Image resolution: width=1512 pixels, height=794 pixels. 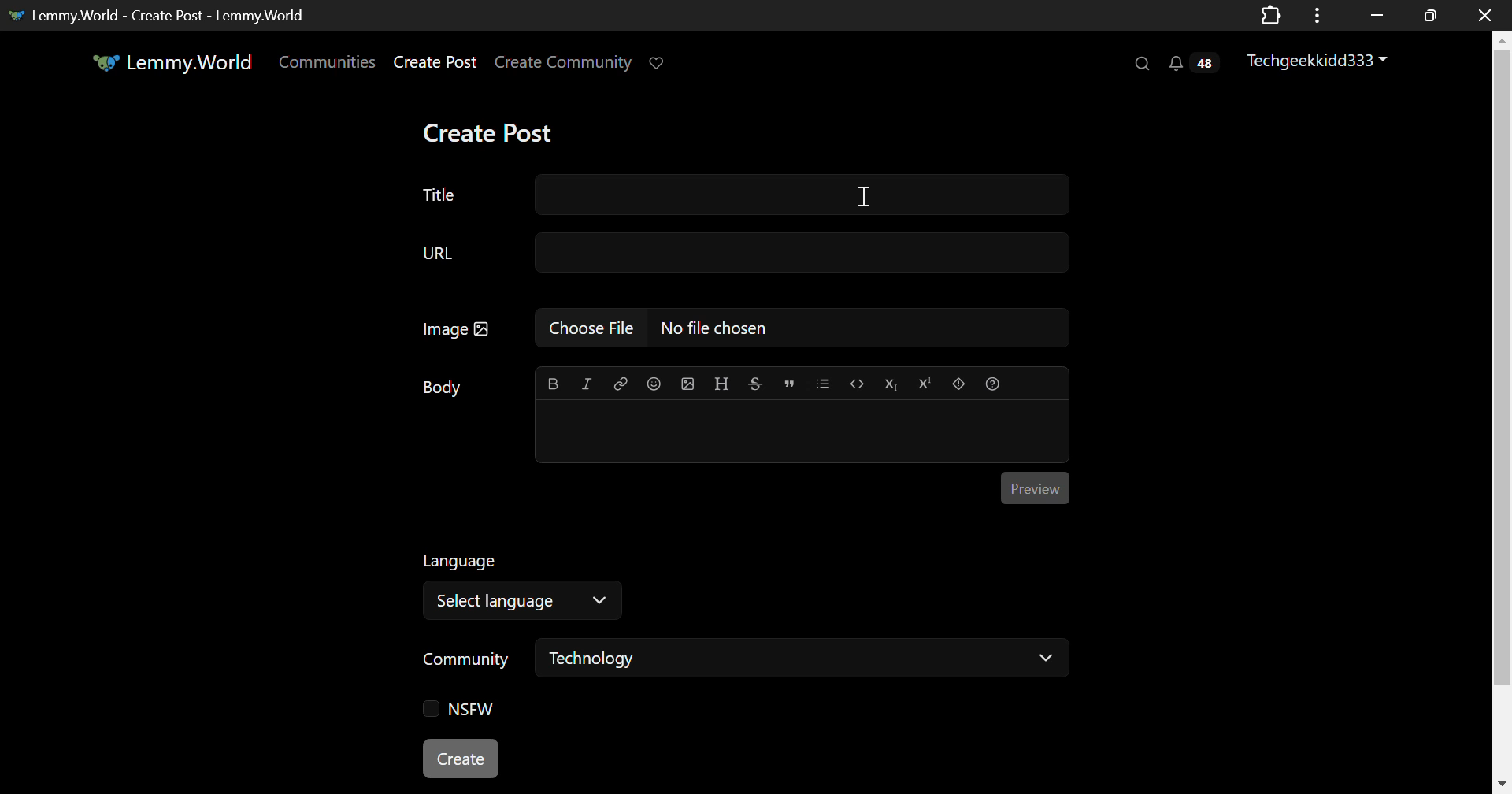 I want to click on Search, so click(x=1144, y=65).